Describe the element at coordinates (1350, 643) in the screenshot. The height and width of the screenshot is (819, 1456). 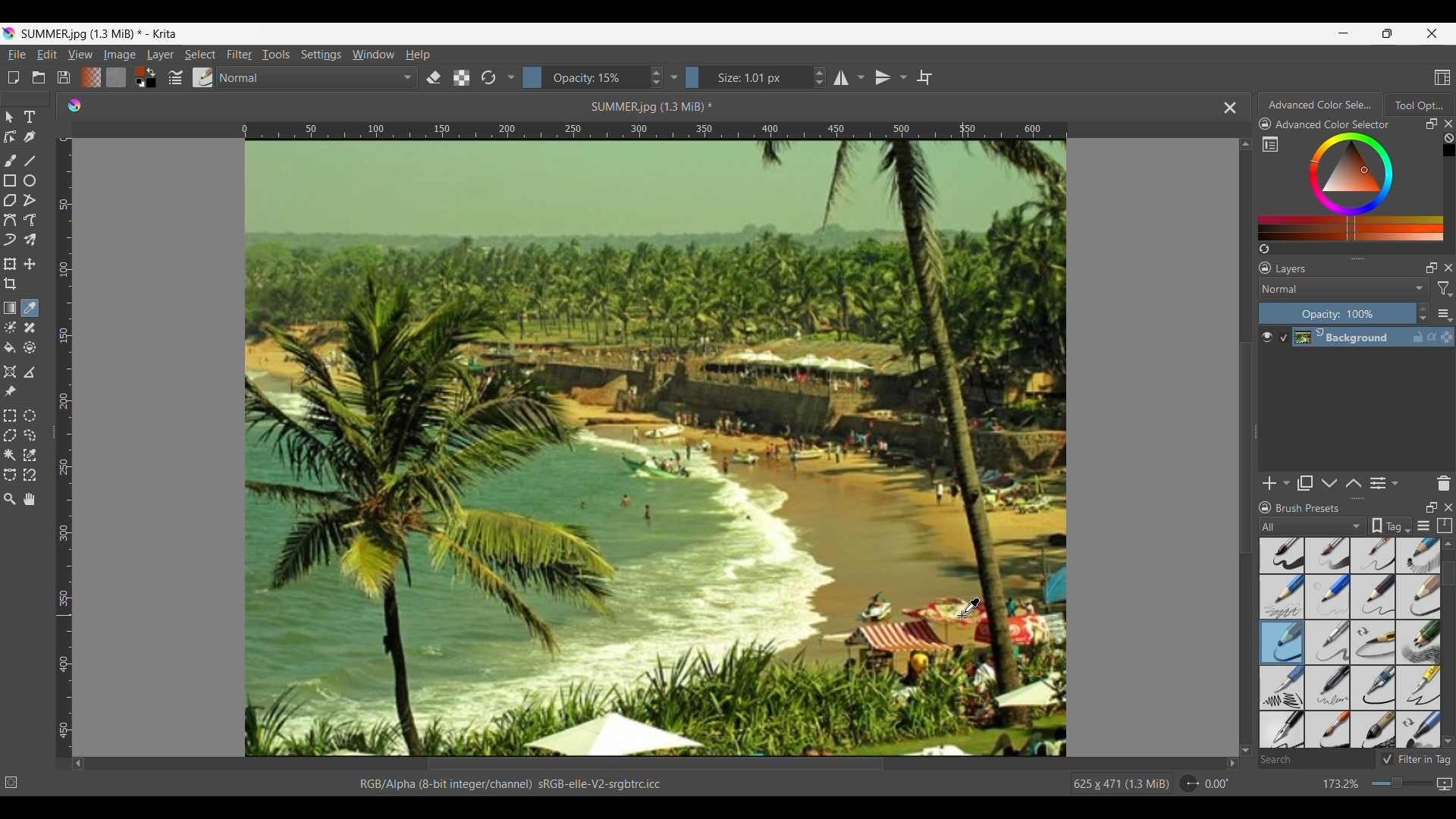
I see `Brush options` at that location.